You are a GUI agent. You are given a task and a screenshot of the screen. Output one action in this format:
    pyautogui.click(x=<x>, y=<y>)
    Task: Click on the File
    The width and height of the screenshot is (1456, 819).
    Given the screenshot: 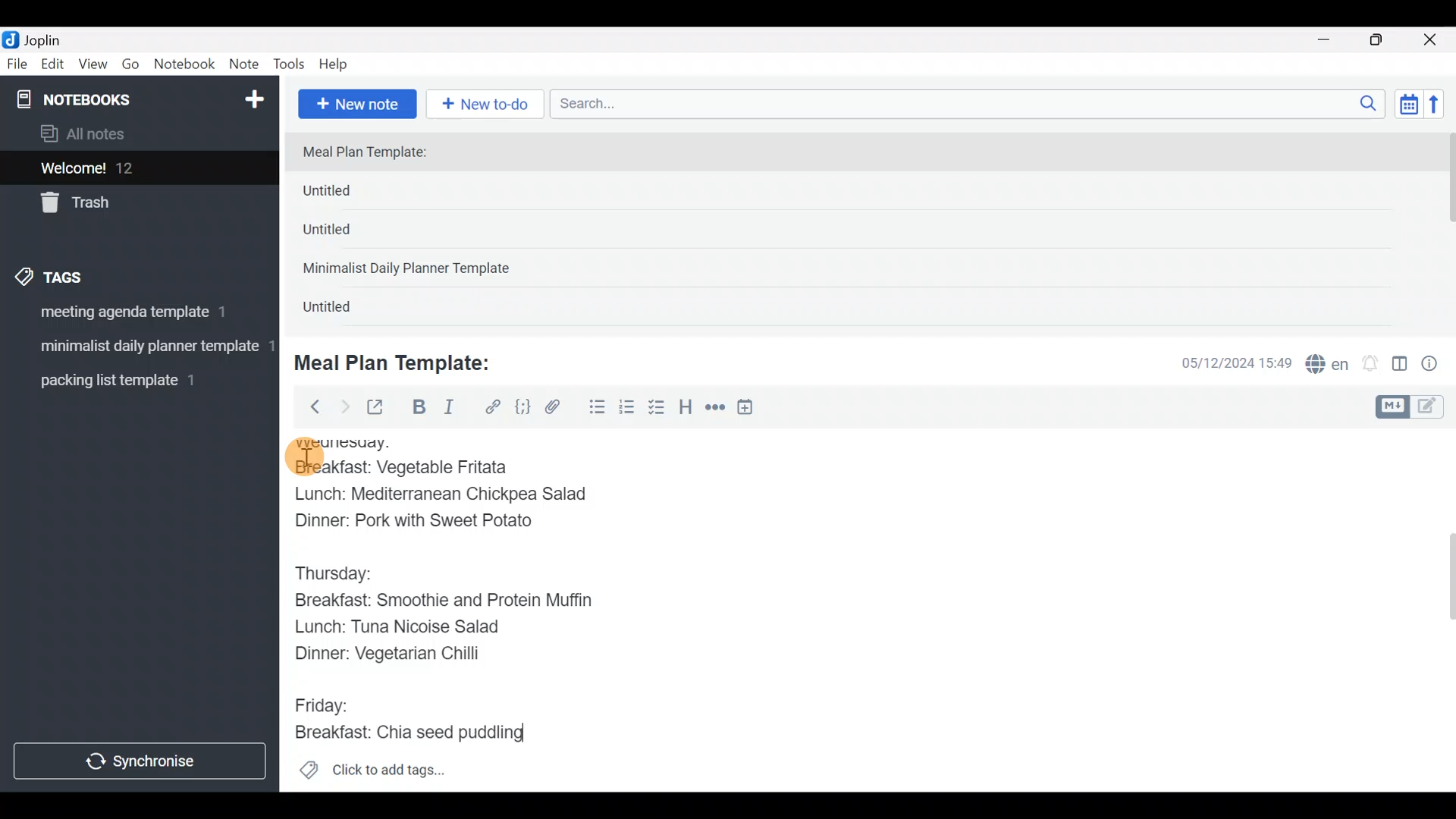 What is the action you would take?
    pyautogui.click(x=18, y=64)
    